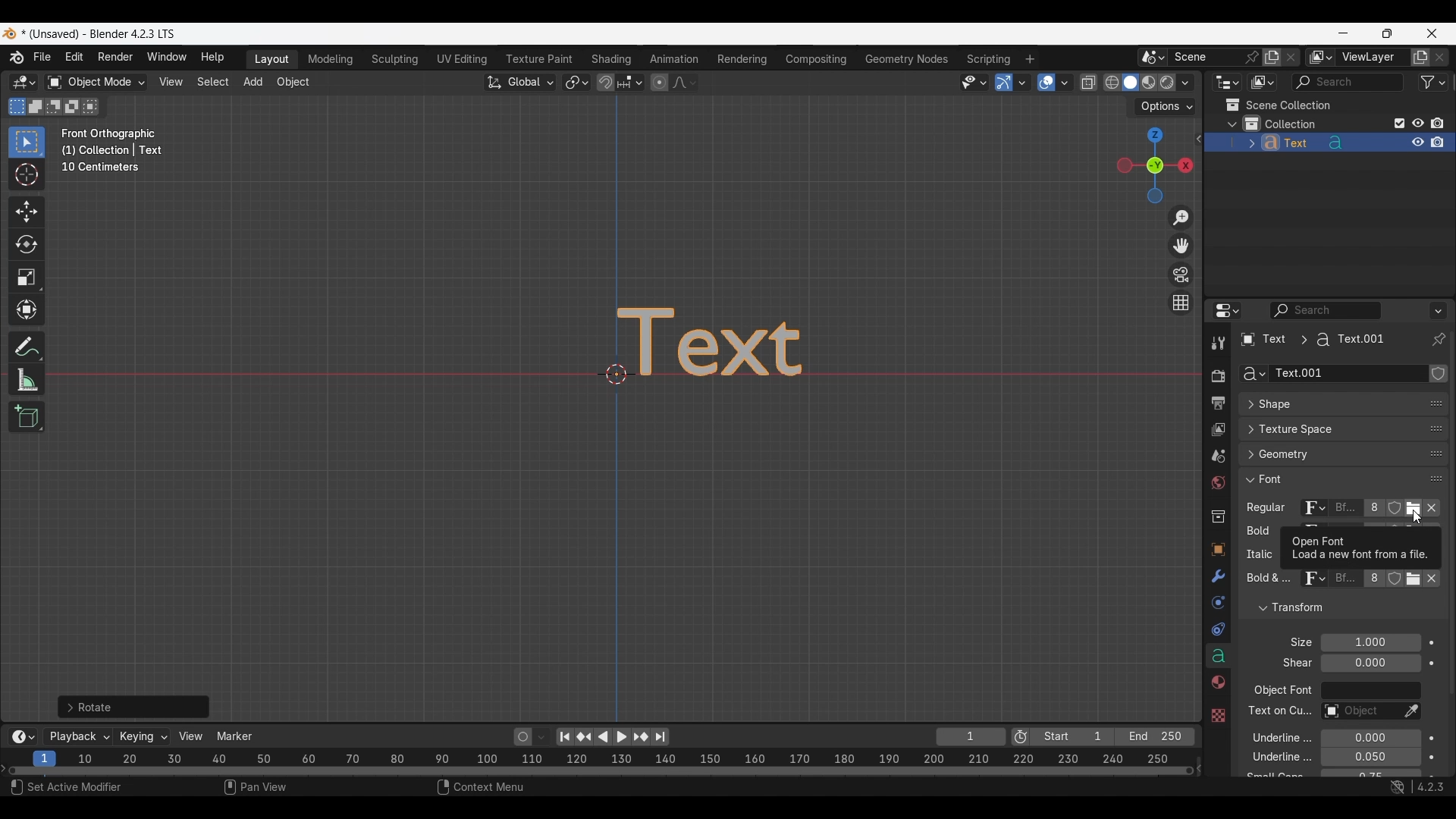 This screenshot has height=819, width=1456. I want to click on File menu, so click(43, 58).